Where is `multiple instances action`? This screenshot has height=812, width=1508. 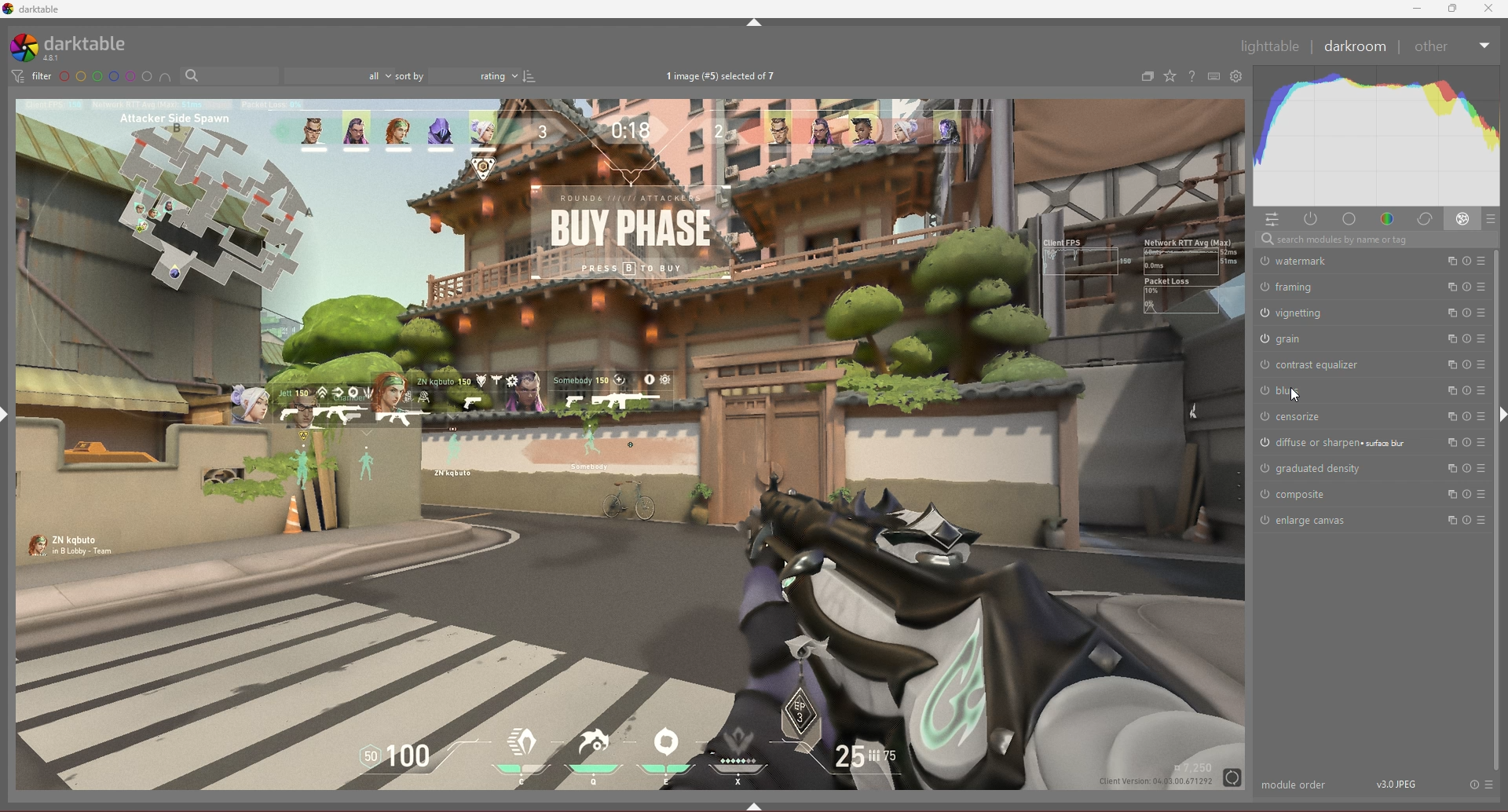
multiple instances action is located at coordinates (1446, 494).